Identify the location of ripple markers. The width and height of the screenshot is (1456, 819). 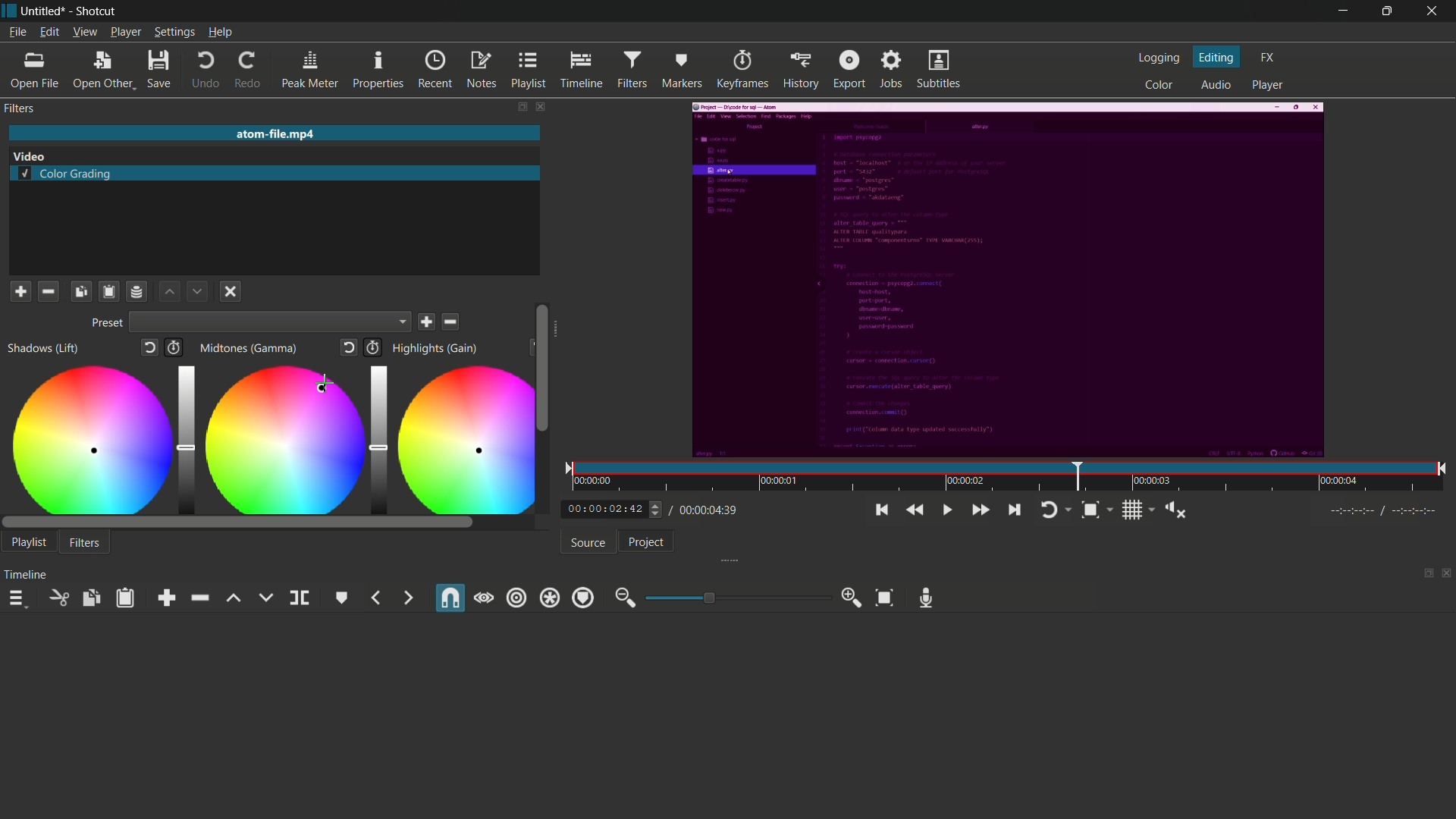
(583, 598).